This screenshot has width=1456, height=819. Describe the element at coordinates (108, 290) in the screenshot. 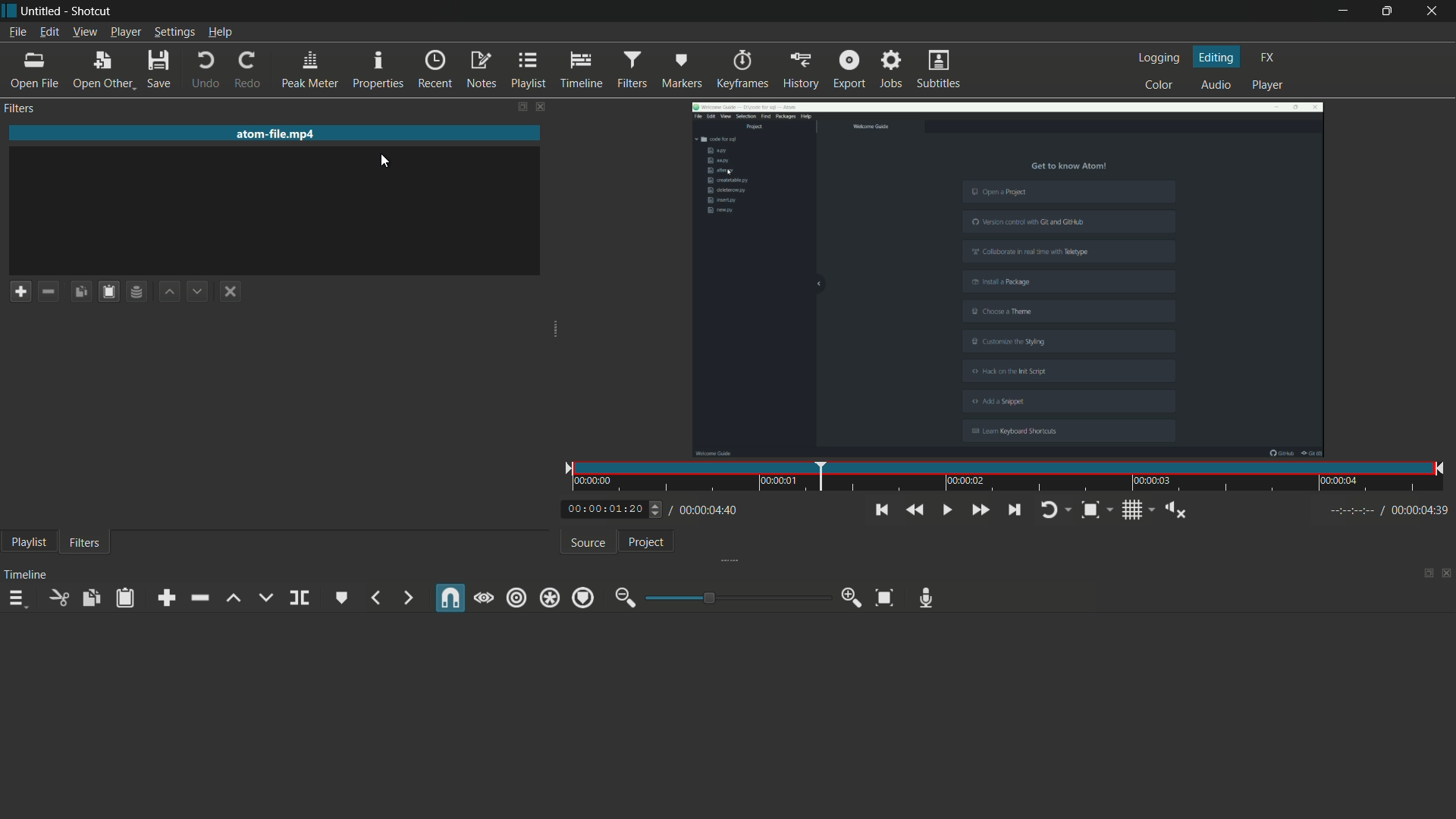

I see `paste filters` at that location.